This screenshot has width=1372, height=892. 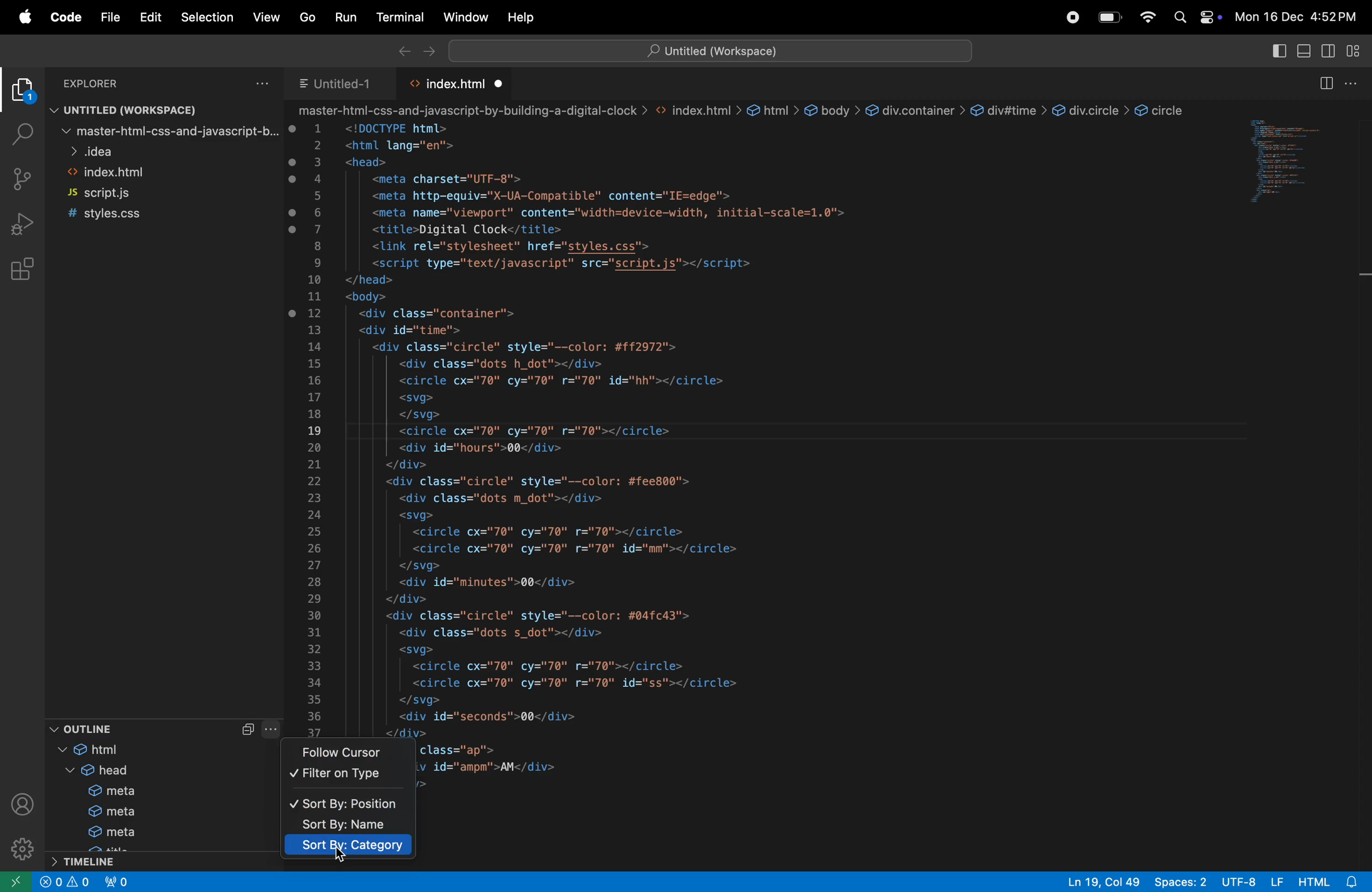 What do you see at coordinates (1307, 52) in the screenshot?
I see `toggle panel` at bounding box center [1307, 52].